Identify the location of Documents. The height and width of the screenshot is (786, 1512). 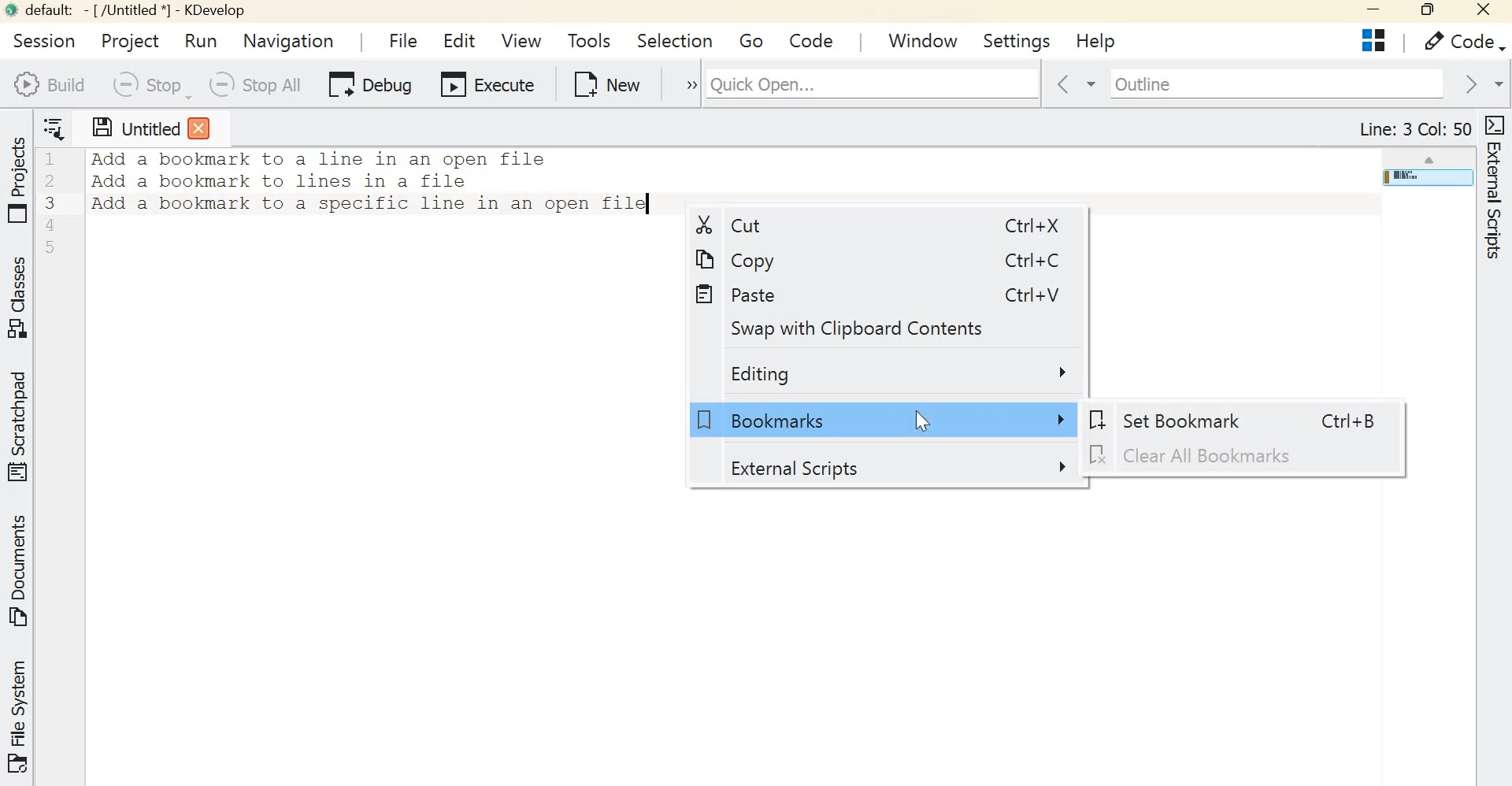
(17, 574).